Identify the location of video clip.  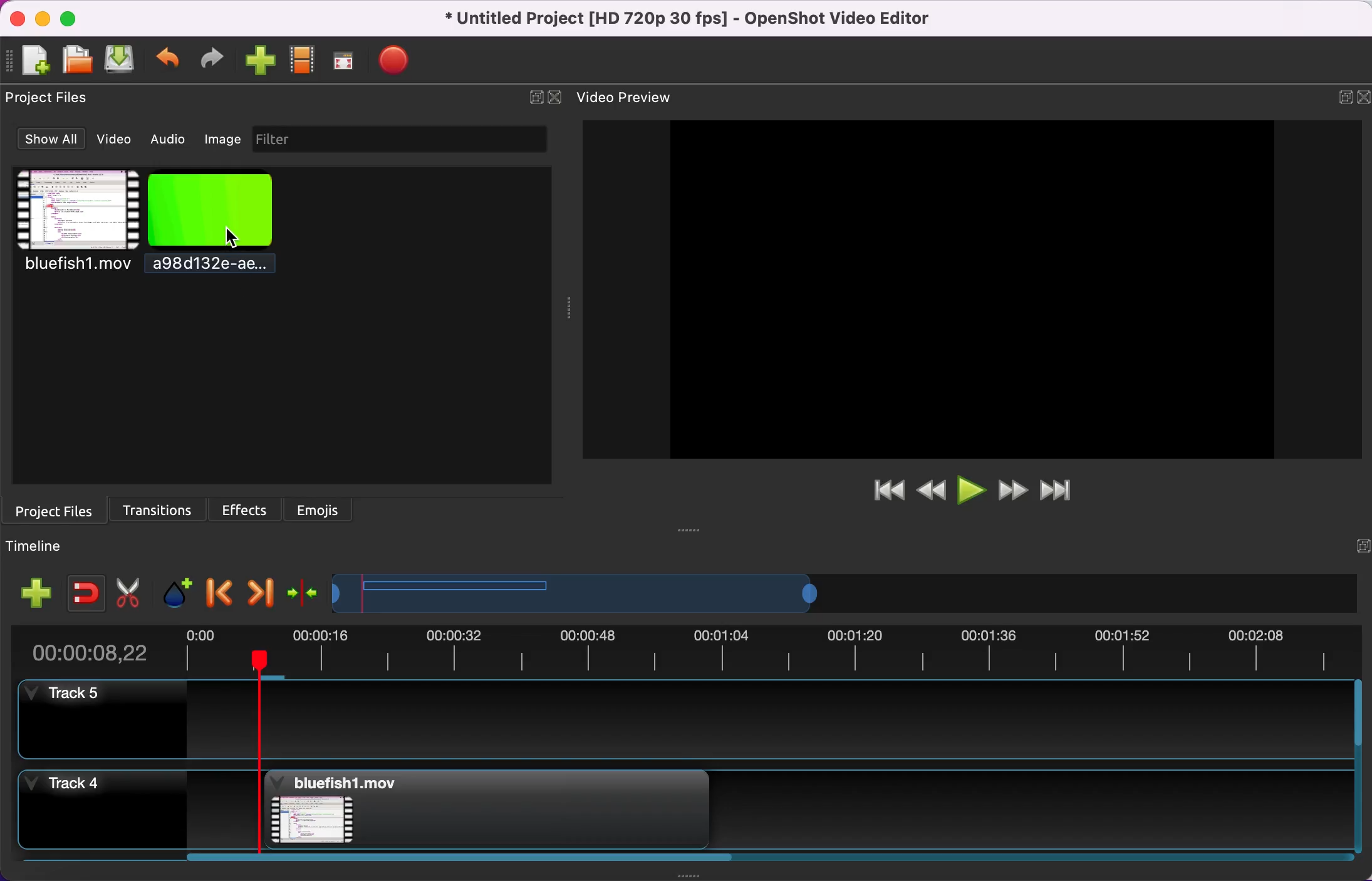
(479, 810).